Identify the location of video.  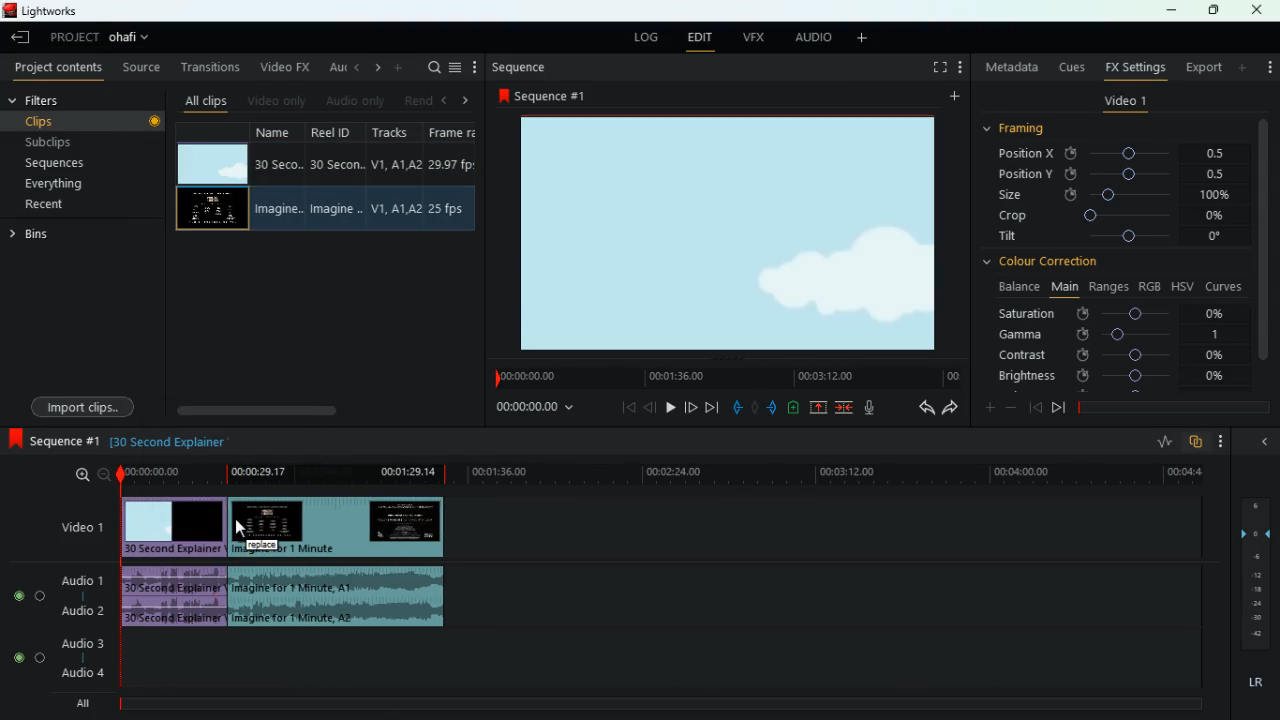
(171, 526).